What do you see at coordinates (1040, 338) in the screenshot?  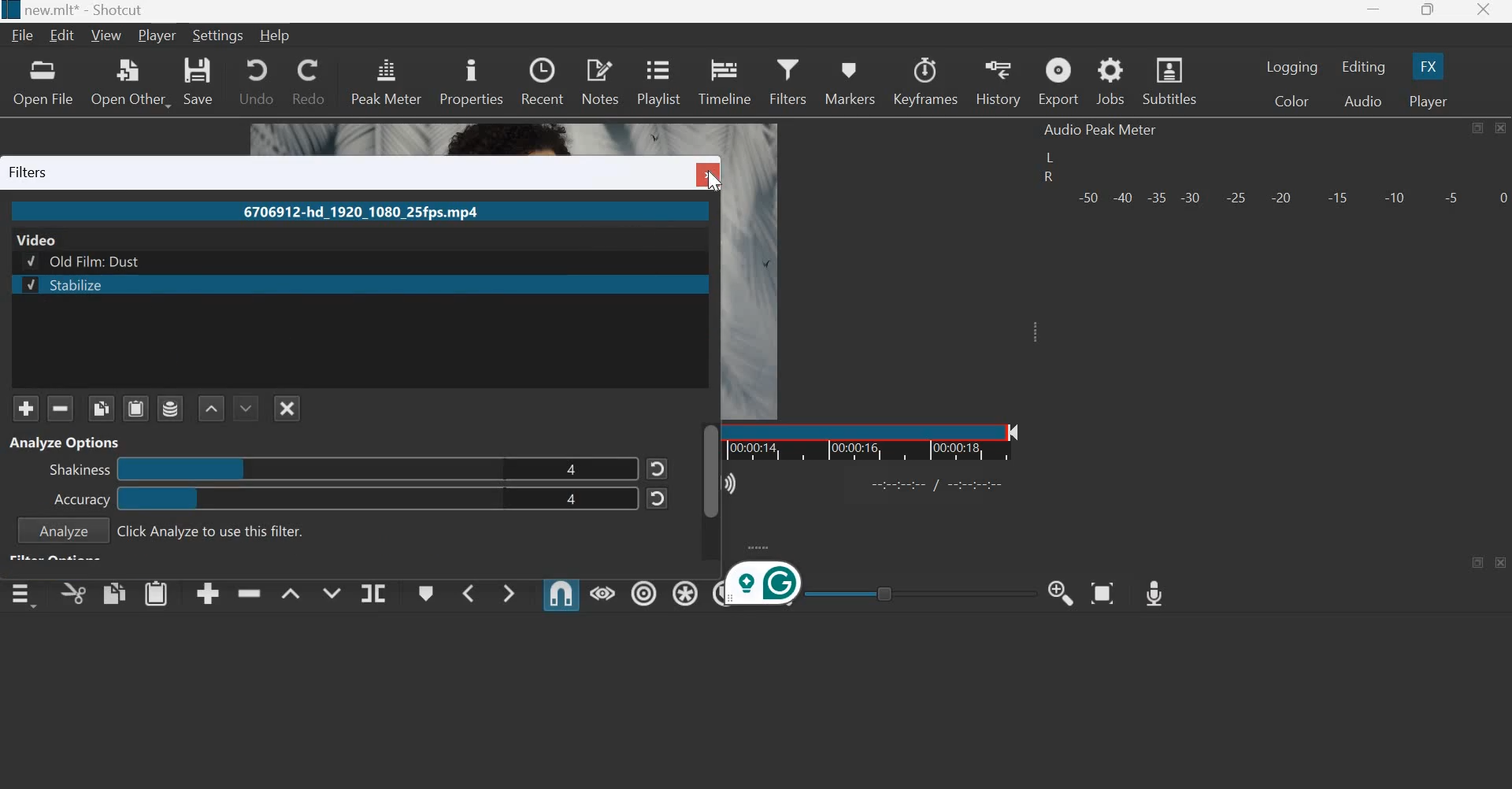 I see `expand` at bounding box center [1040, 338].